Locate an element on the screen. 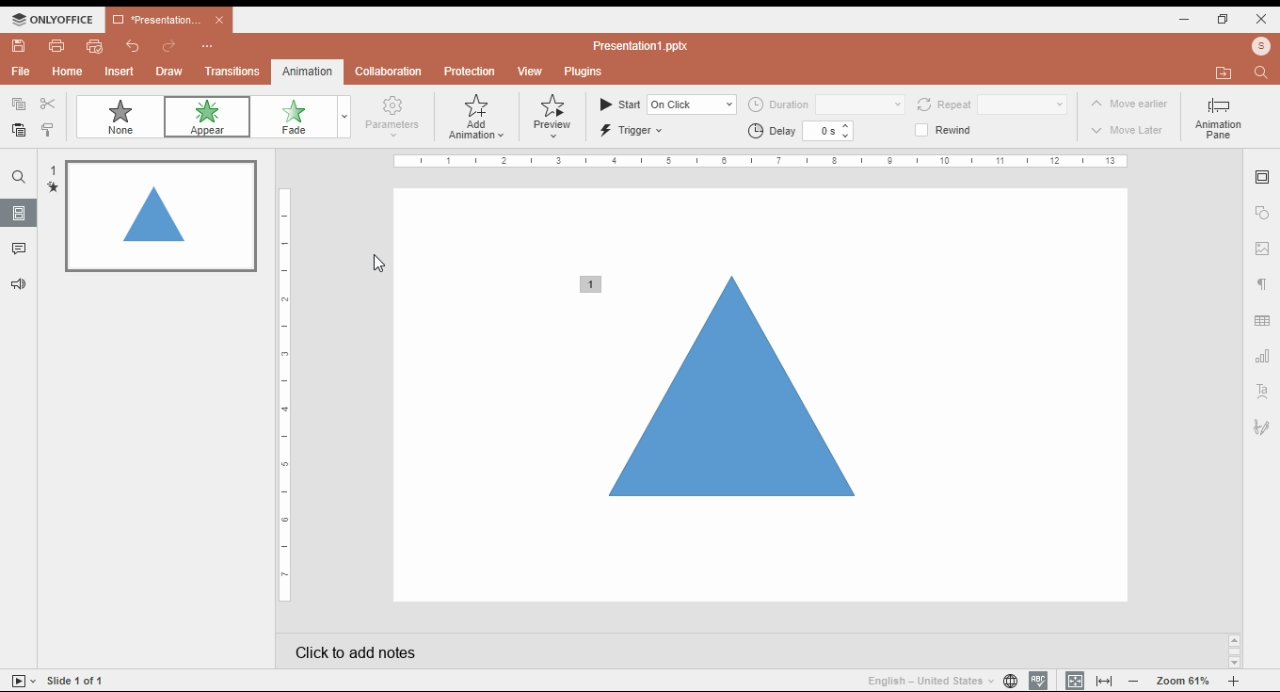 This screenshot has height=692, width=1280. insert is located at coordinates (121, 70).